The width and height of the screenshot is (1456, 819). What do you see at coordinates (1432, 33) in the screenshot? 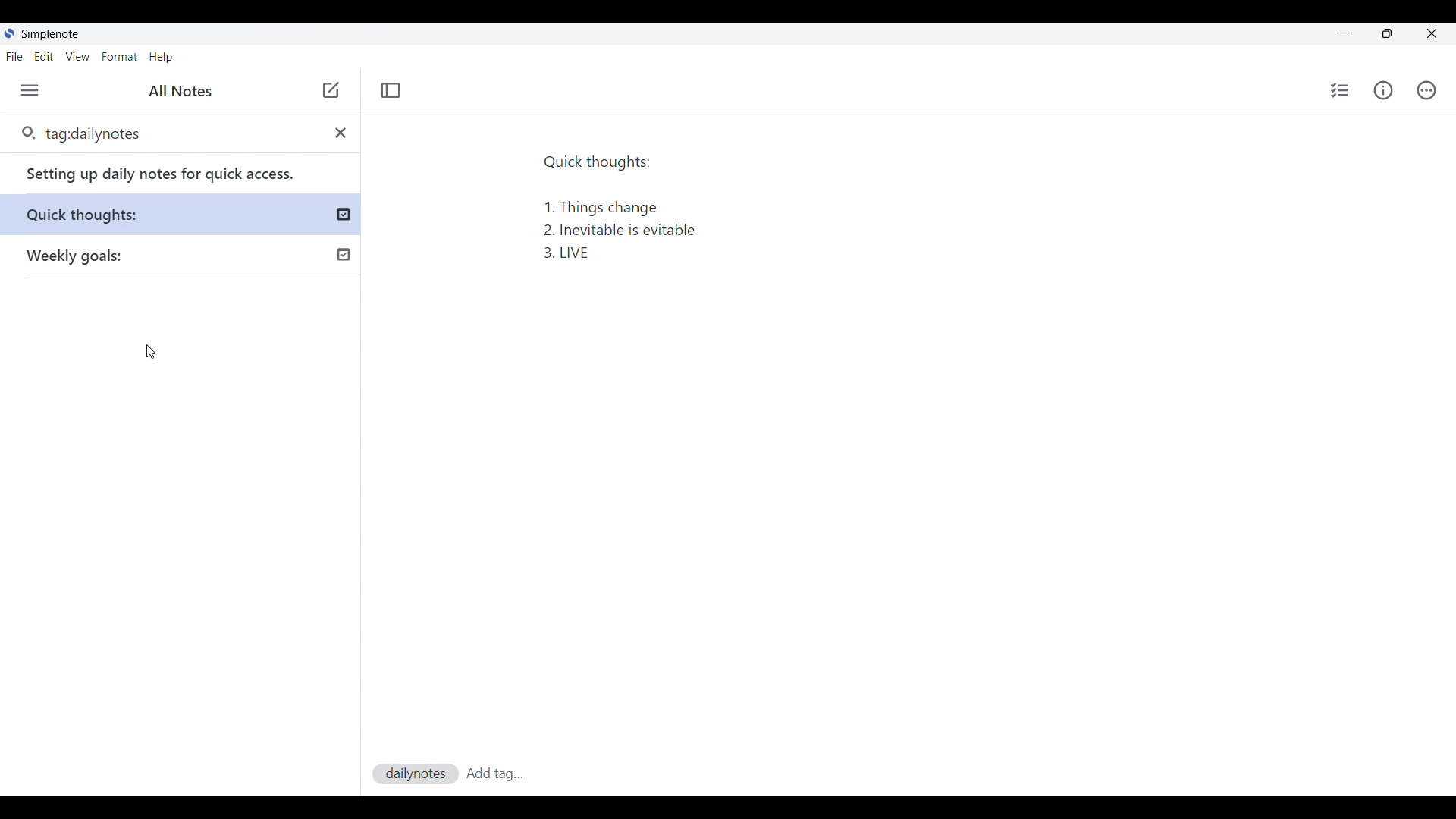
I see `Close` at bounding box center [1432, 33].